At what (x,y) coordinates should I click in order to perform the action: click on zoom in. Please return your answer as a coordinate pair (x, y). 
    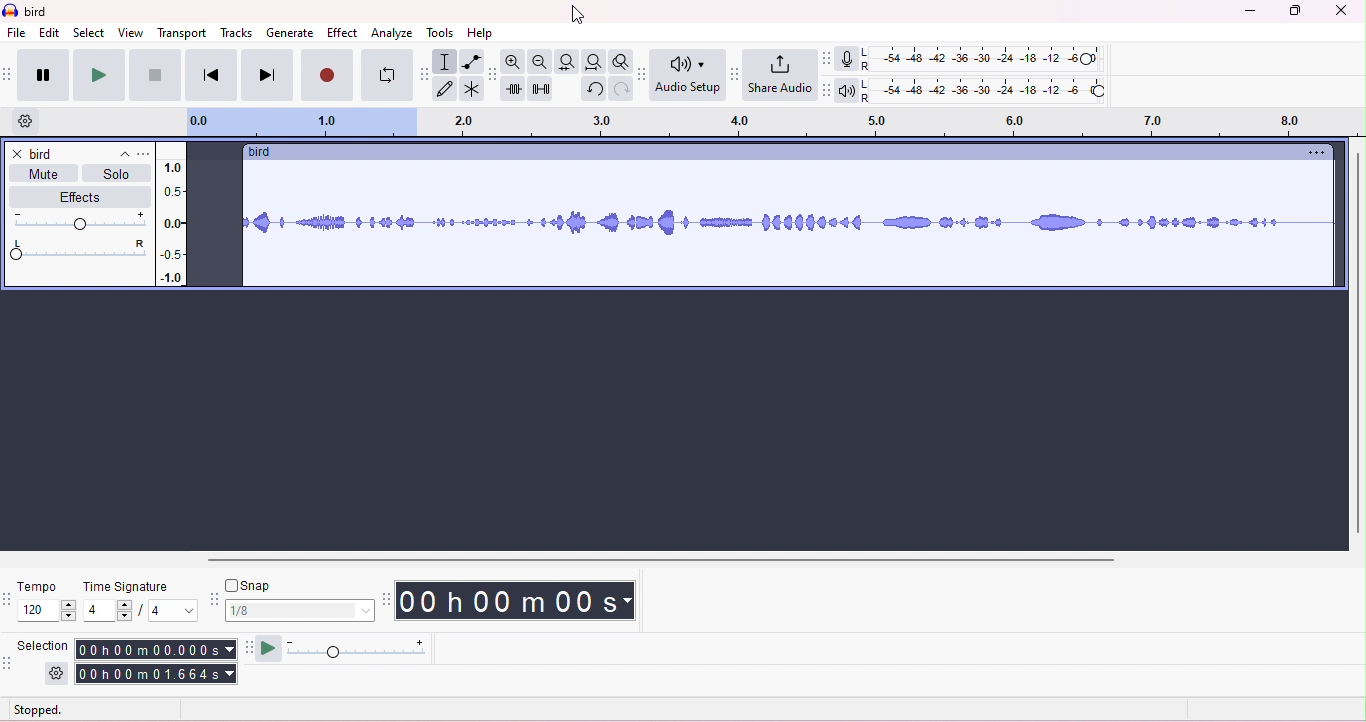
    Looking at the image, I should click on (517, 62).